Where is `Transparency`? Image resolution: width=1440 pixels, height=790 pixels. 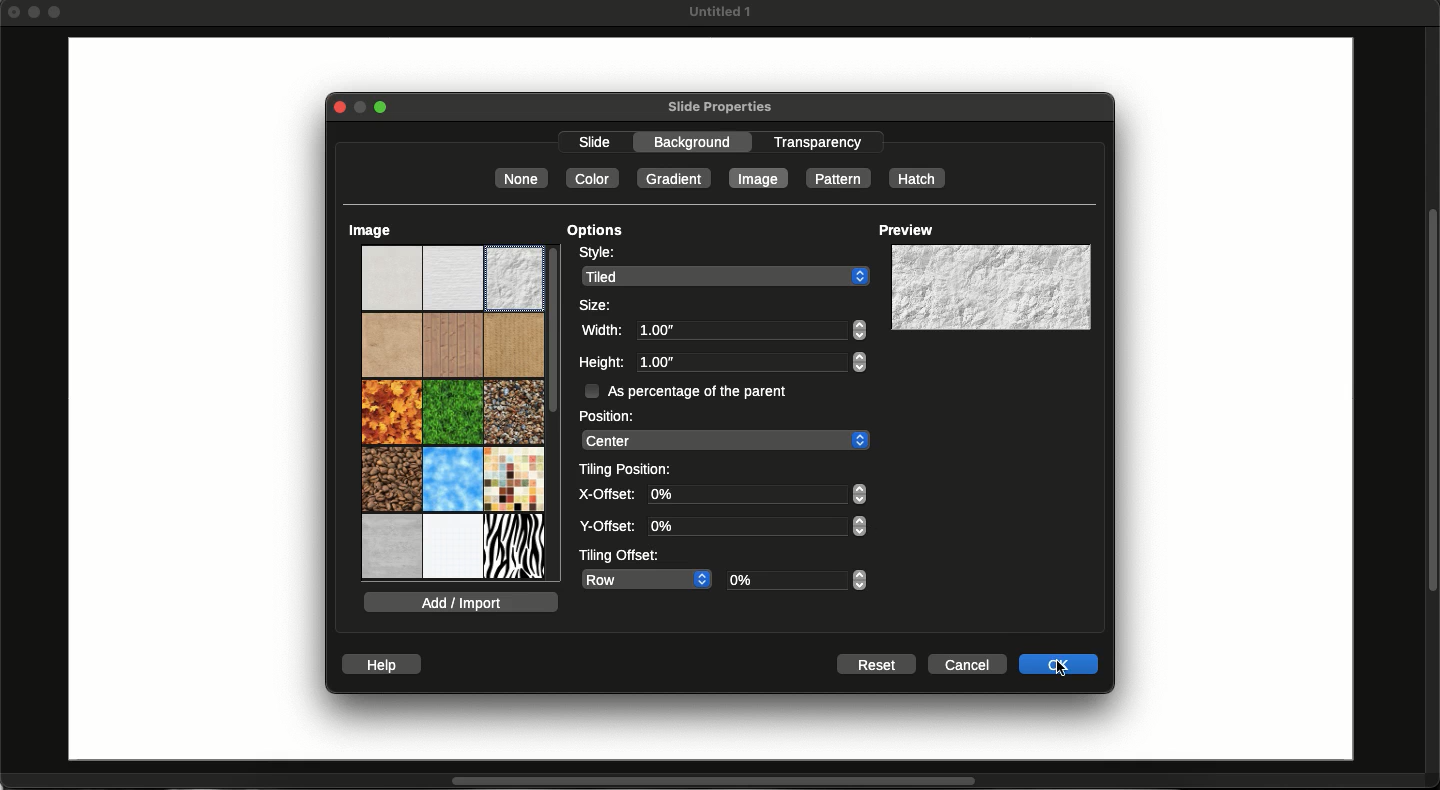 Transparency is located at coordinates (818, 141).